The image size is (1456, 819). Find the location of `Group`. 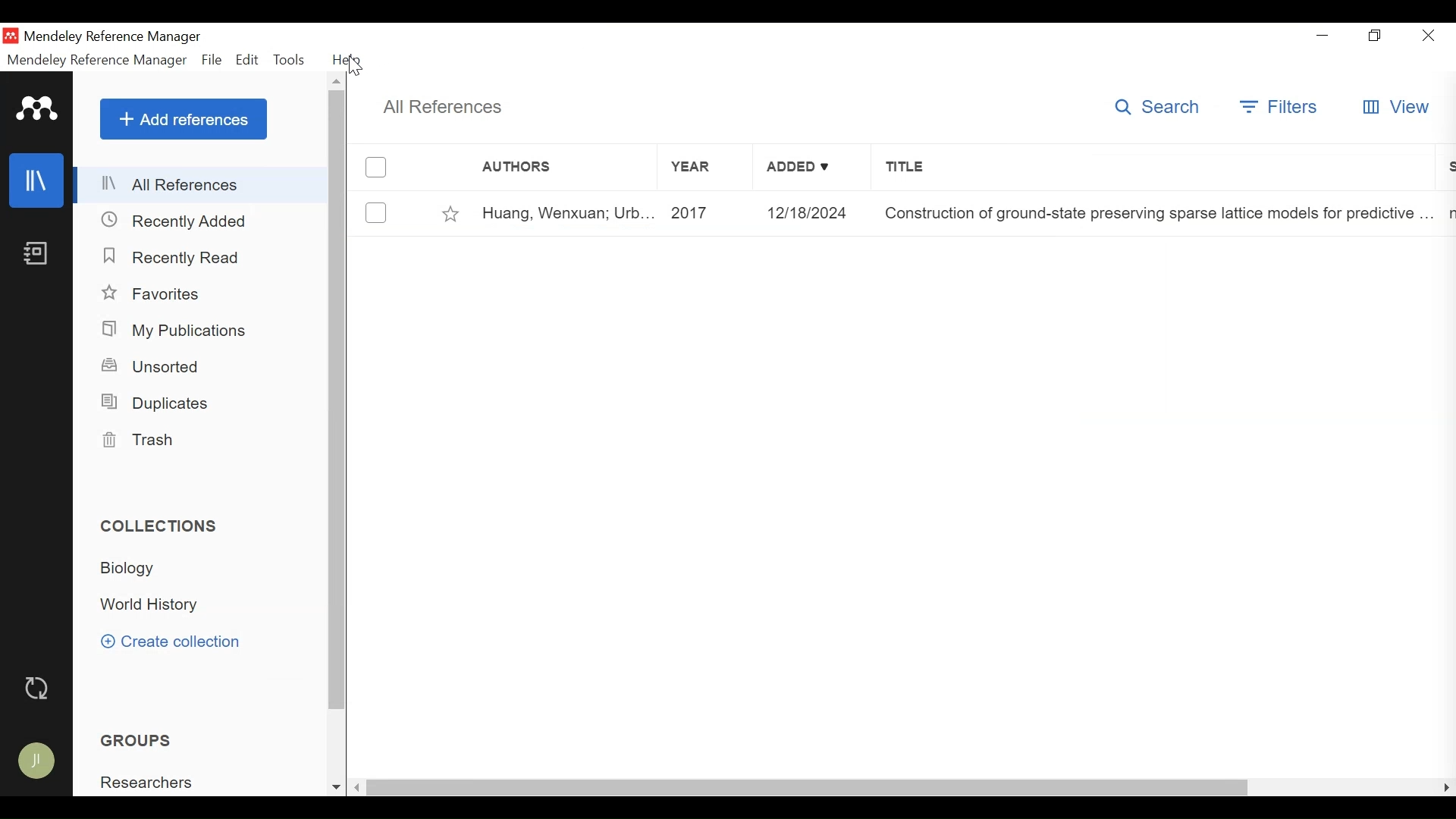

Group is located at coordinates (142, 740).